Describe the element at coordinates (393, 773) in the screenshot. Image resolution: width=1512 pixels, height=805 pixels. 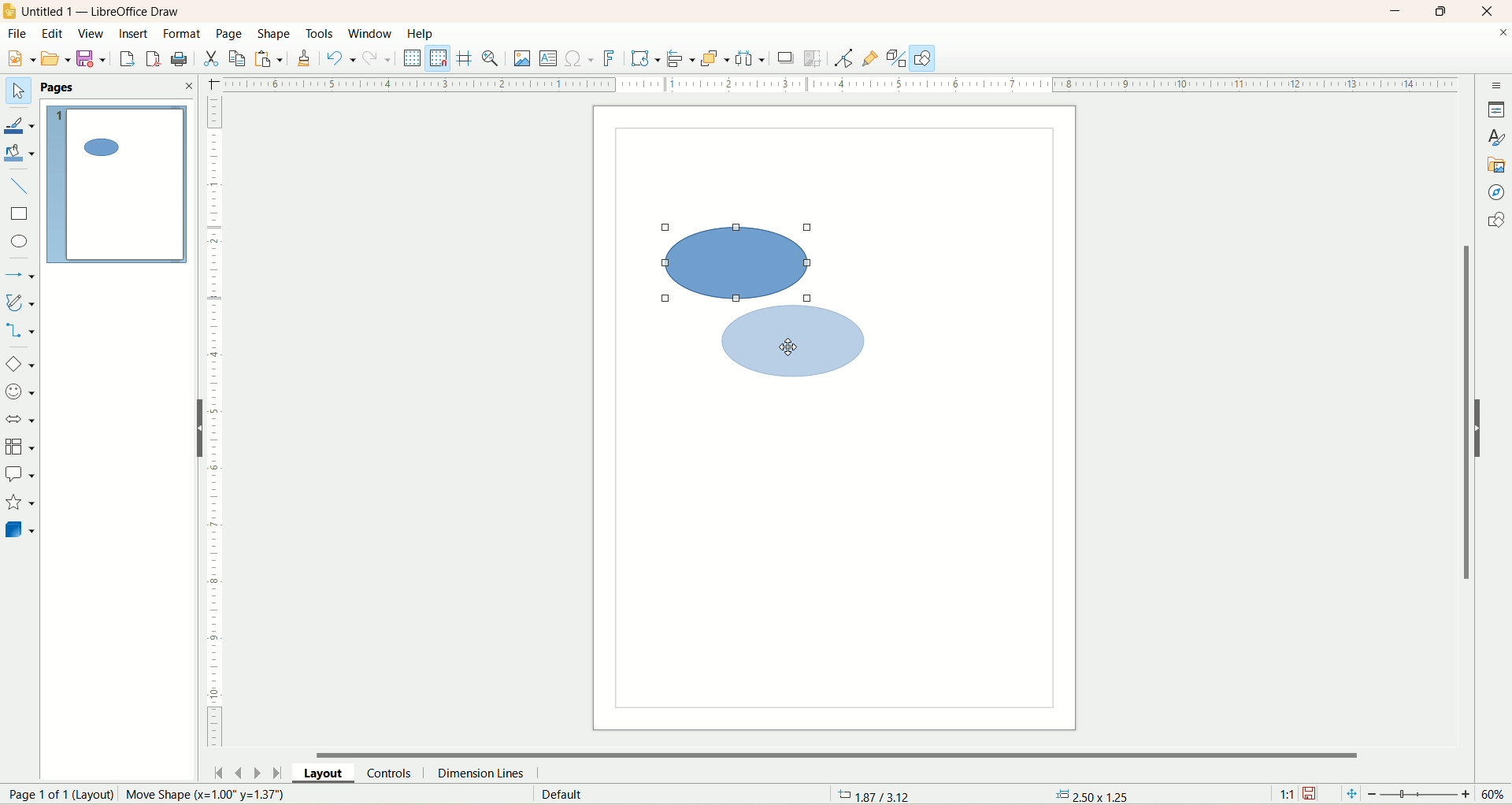
I see `controls` at that location.